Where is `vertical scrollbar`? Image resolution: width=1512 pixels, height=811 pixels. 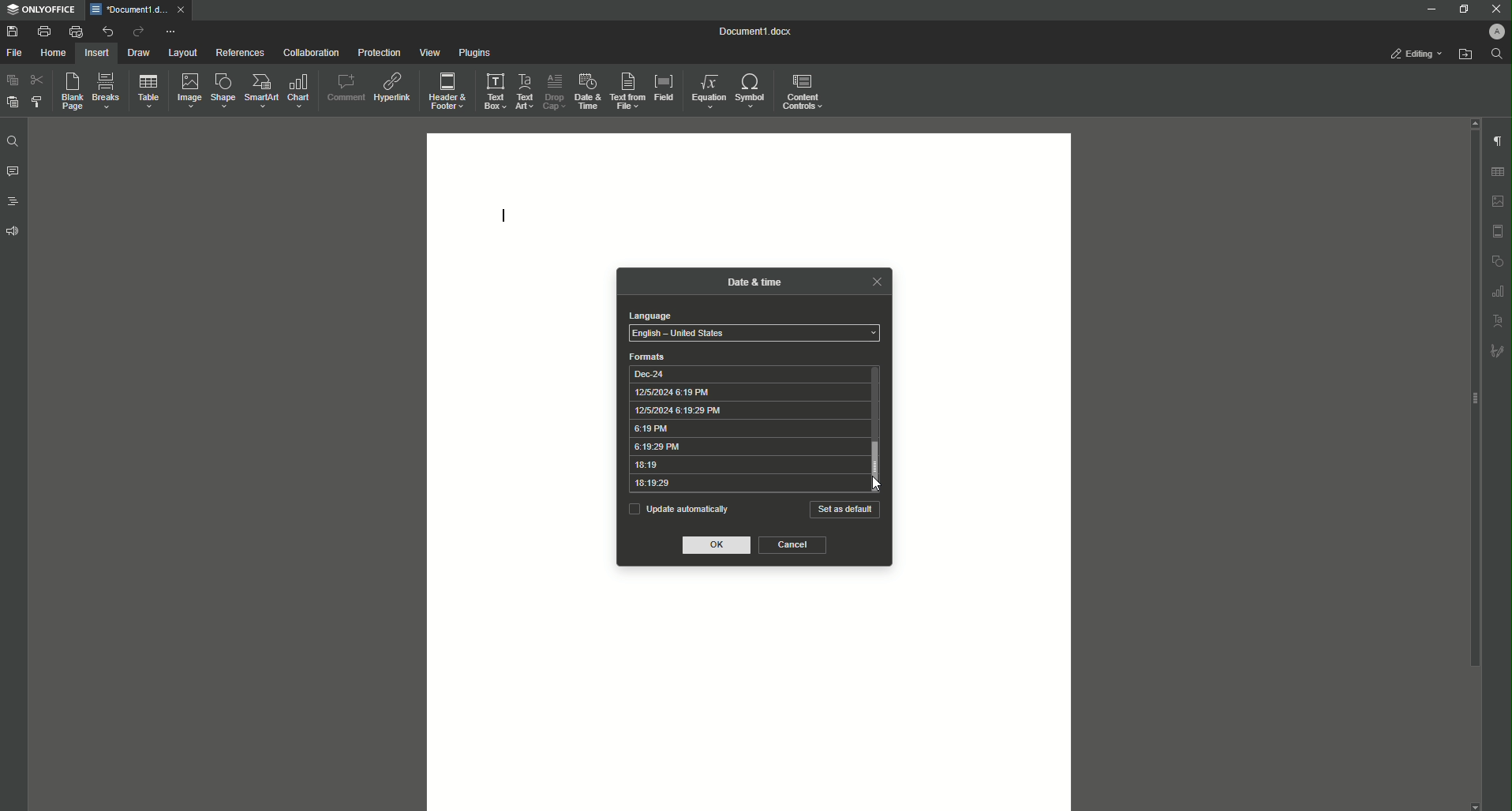
vertical scrollbar is located at coordinates (881, 465).